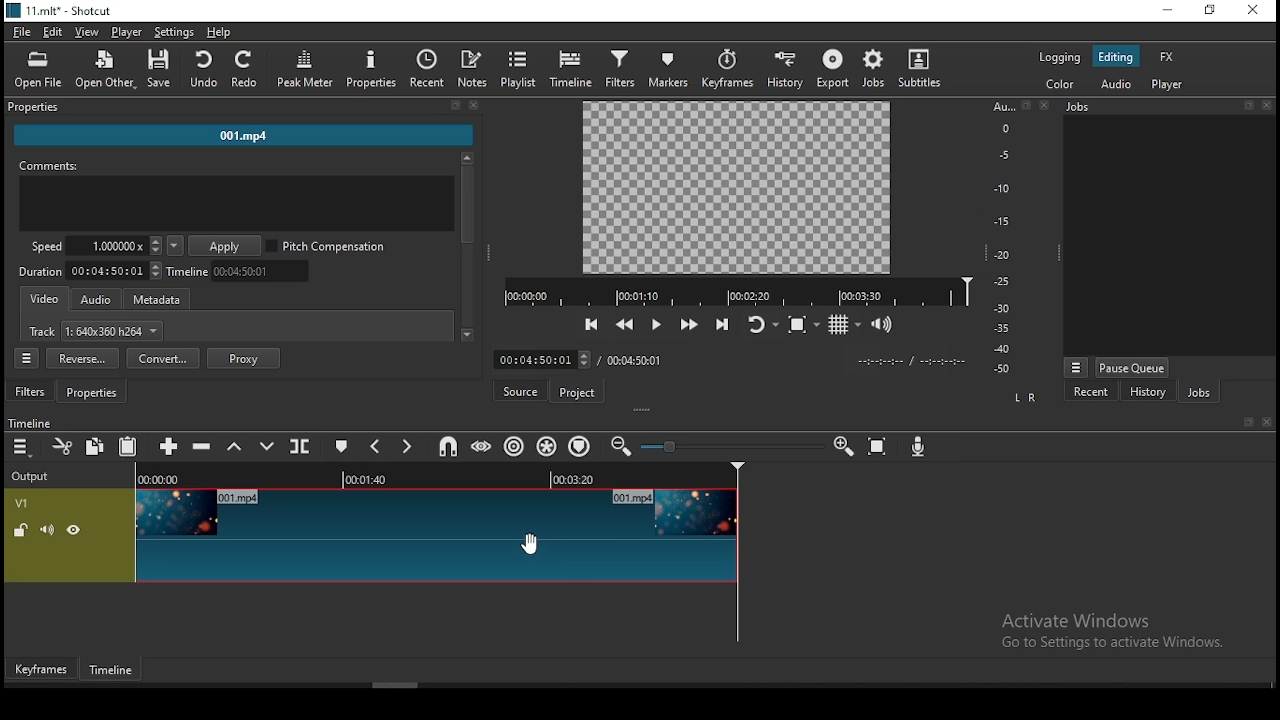 The image size is (1280, 720). What do you see at coordinates (723, 324) in the screenshot?
I see `skip to the next point` at bounding box center [723, 324].